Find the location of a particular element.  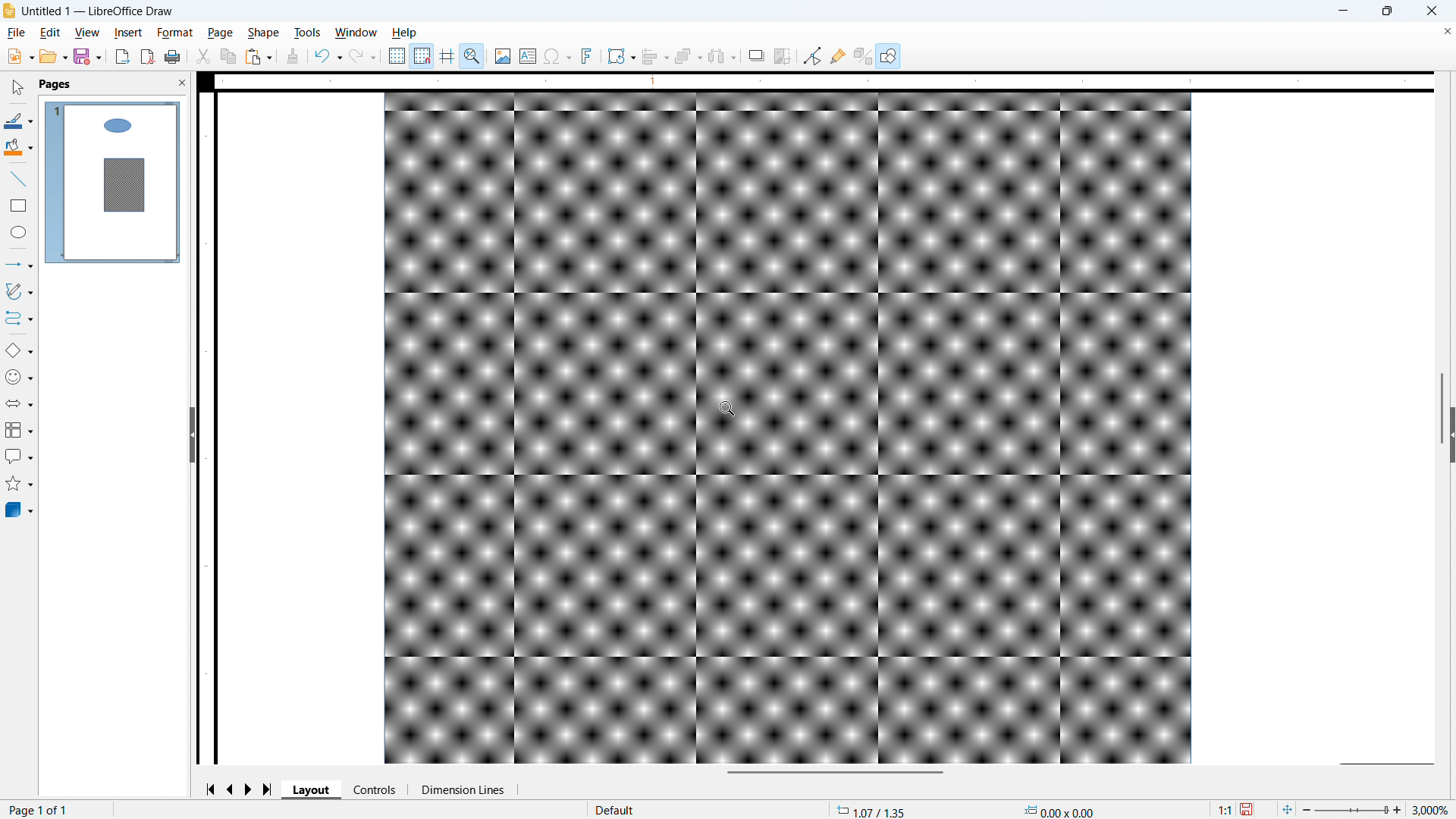

Tools  is located at coordinates (306, 33).